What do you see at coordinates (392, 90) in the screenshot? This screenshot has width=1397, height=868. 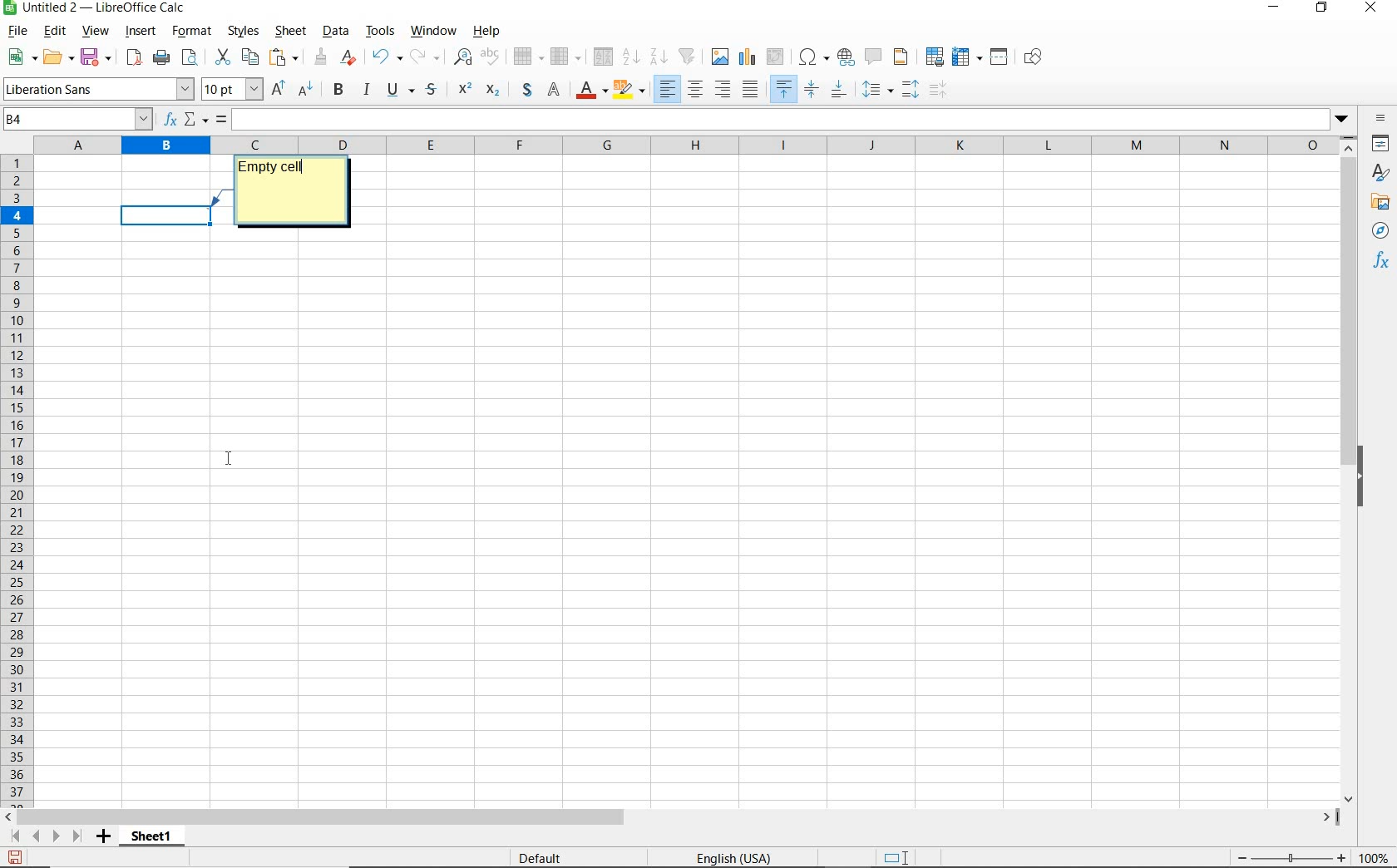 I see `underline` at bounding box center [392, 90].